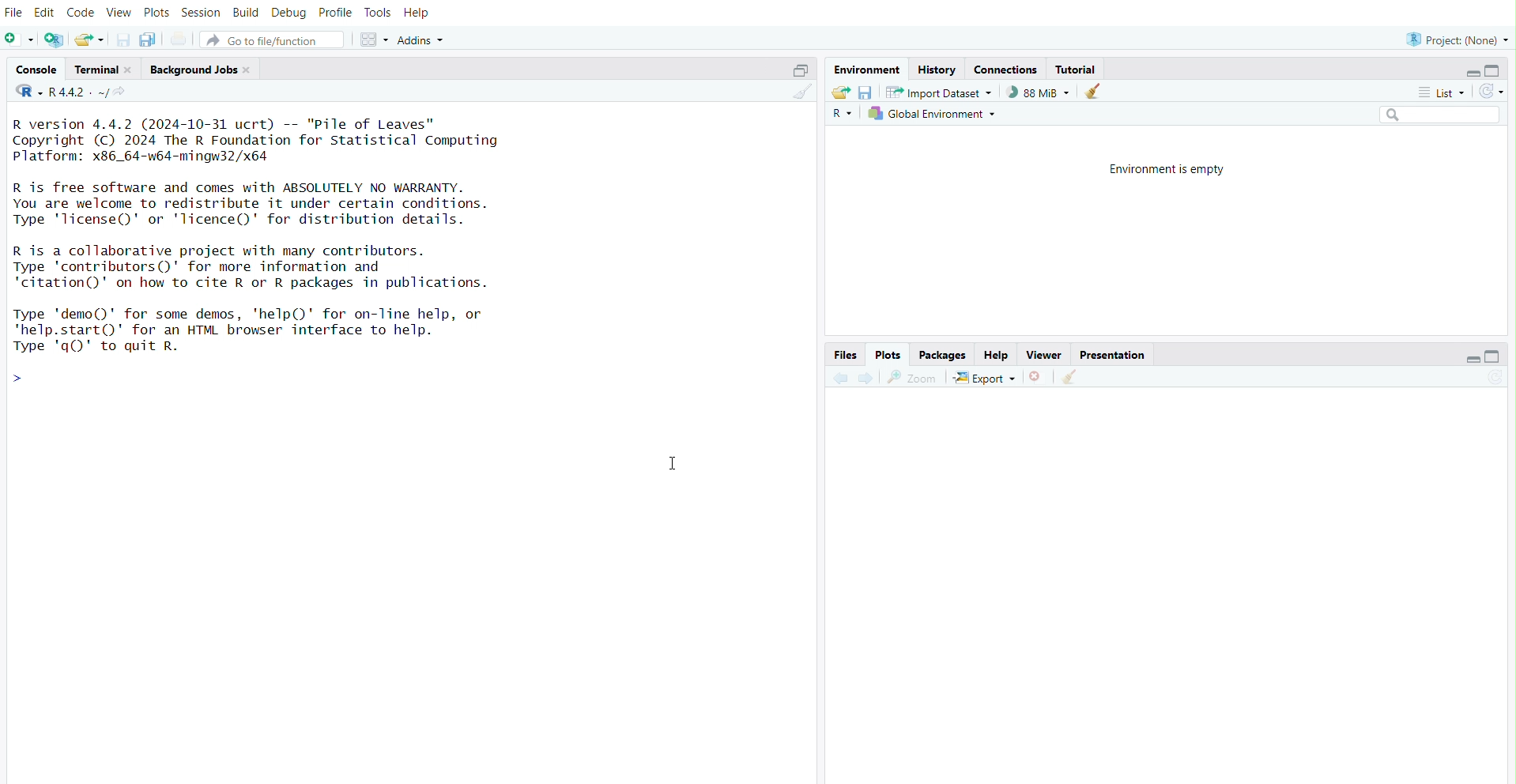 Image resolution: width=1516 pixels, height=784 pixels. Describe the element at coordinates (1075, 68) in the screenshot. I see `tutorial` at that location.